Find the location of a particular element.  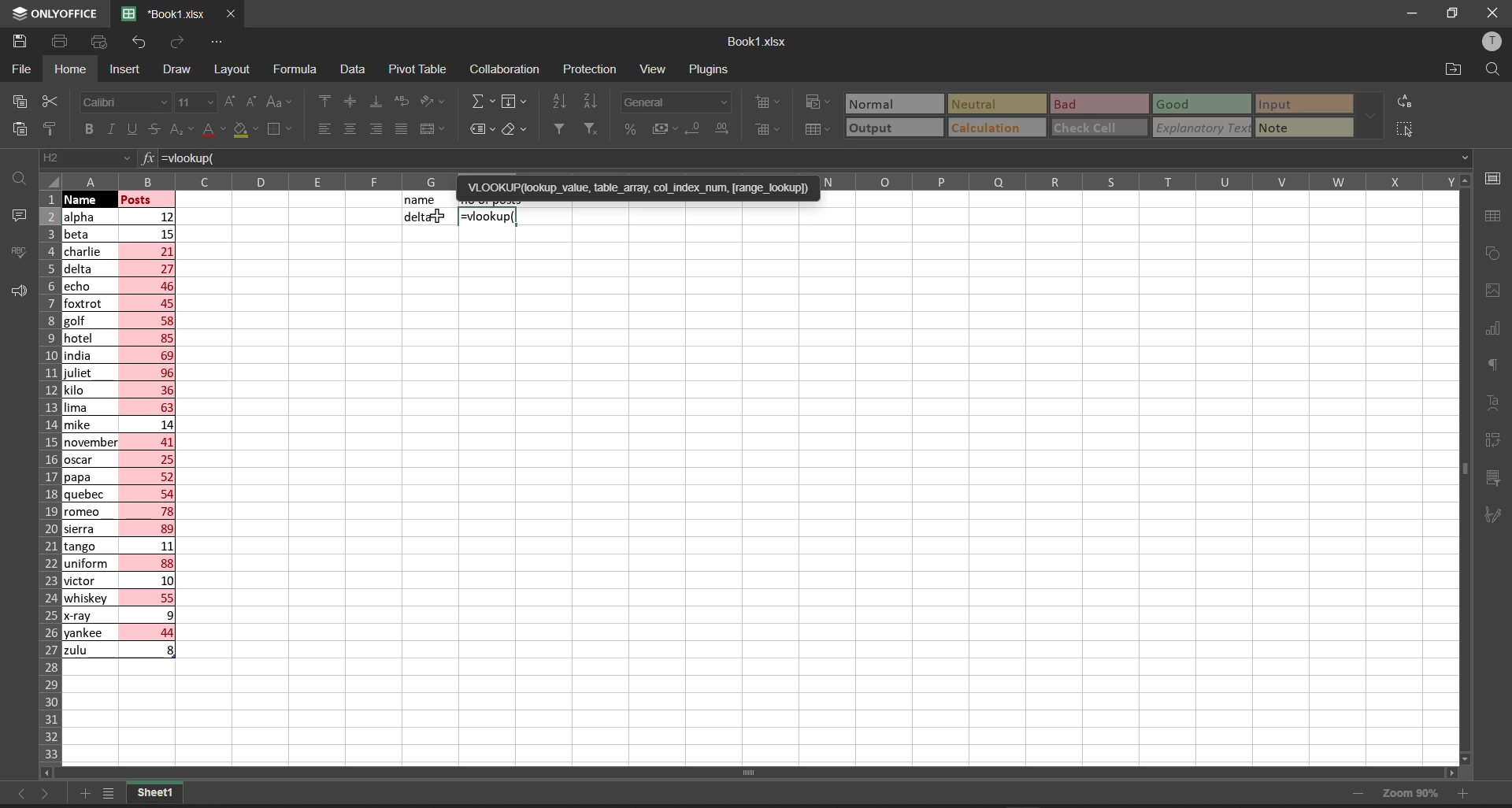

filter is located at coordinates (558, 128).